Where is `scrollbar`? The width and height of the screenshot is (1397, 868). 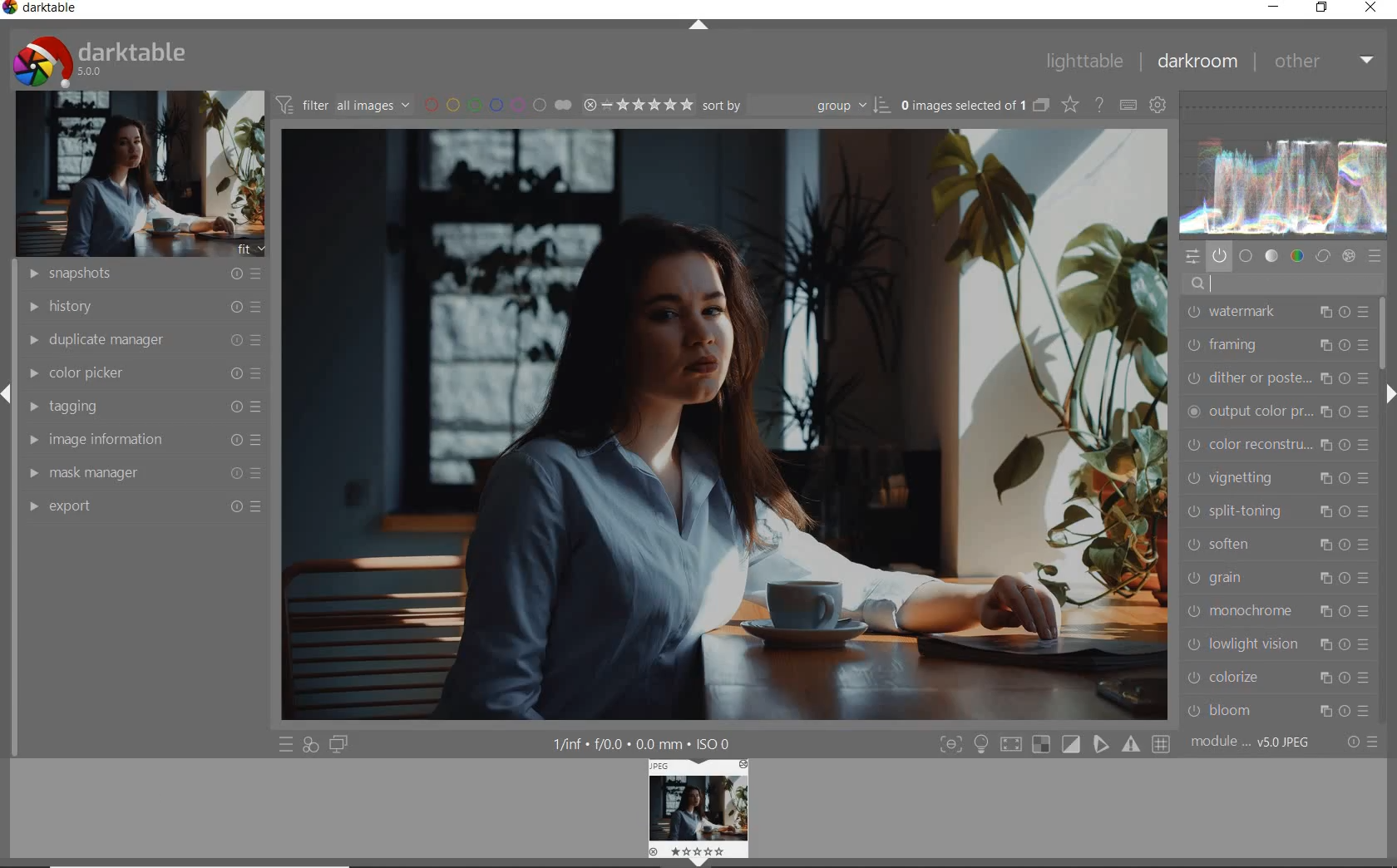 scrollbar is located at coordinates (1387, 332).